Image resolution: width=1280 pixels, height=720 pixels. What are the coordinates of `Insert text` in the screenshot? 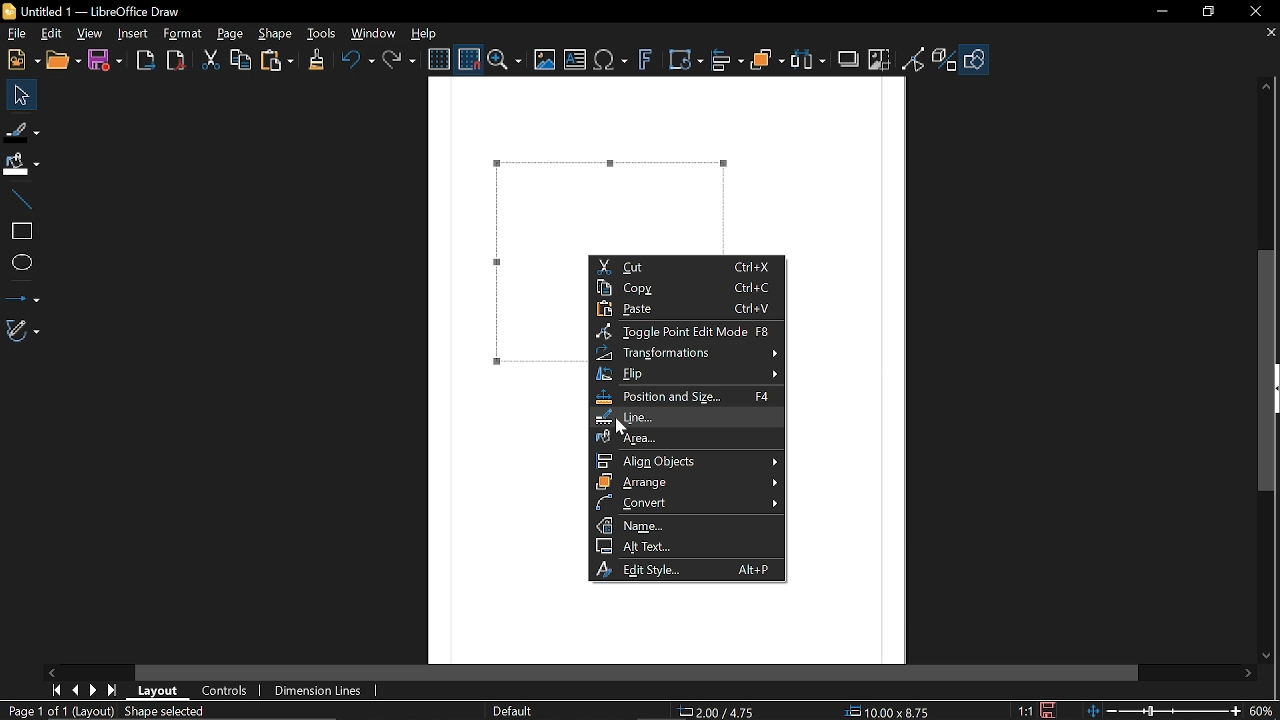 It's located at (612, 61).